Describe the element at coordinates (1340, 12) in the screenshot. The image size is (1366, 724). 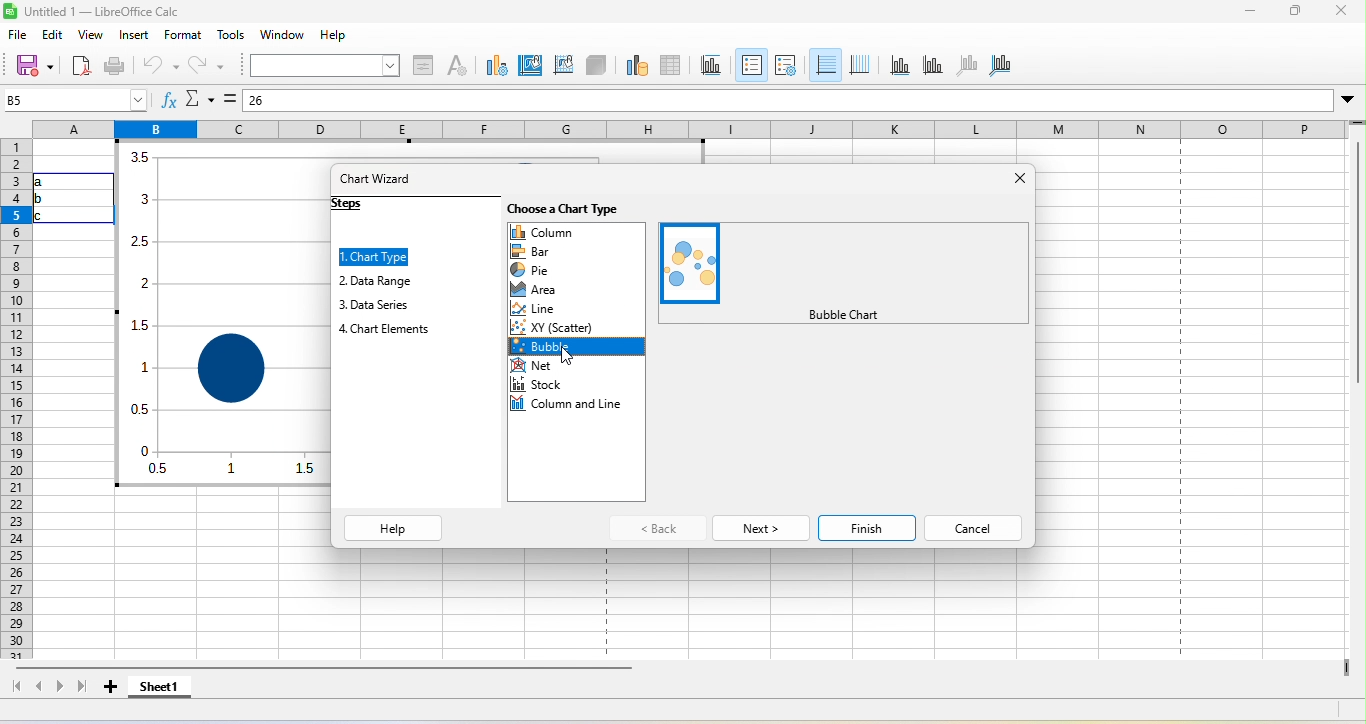
I see `close` at that location.